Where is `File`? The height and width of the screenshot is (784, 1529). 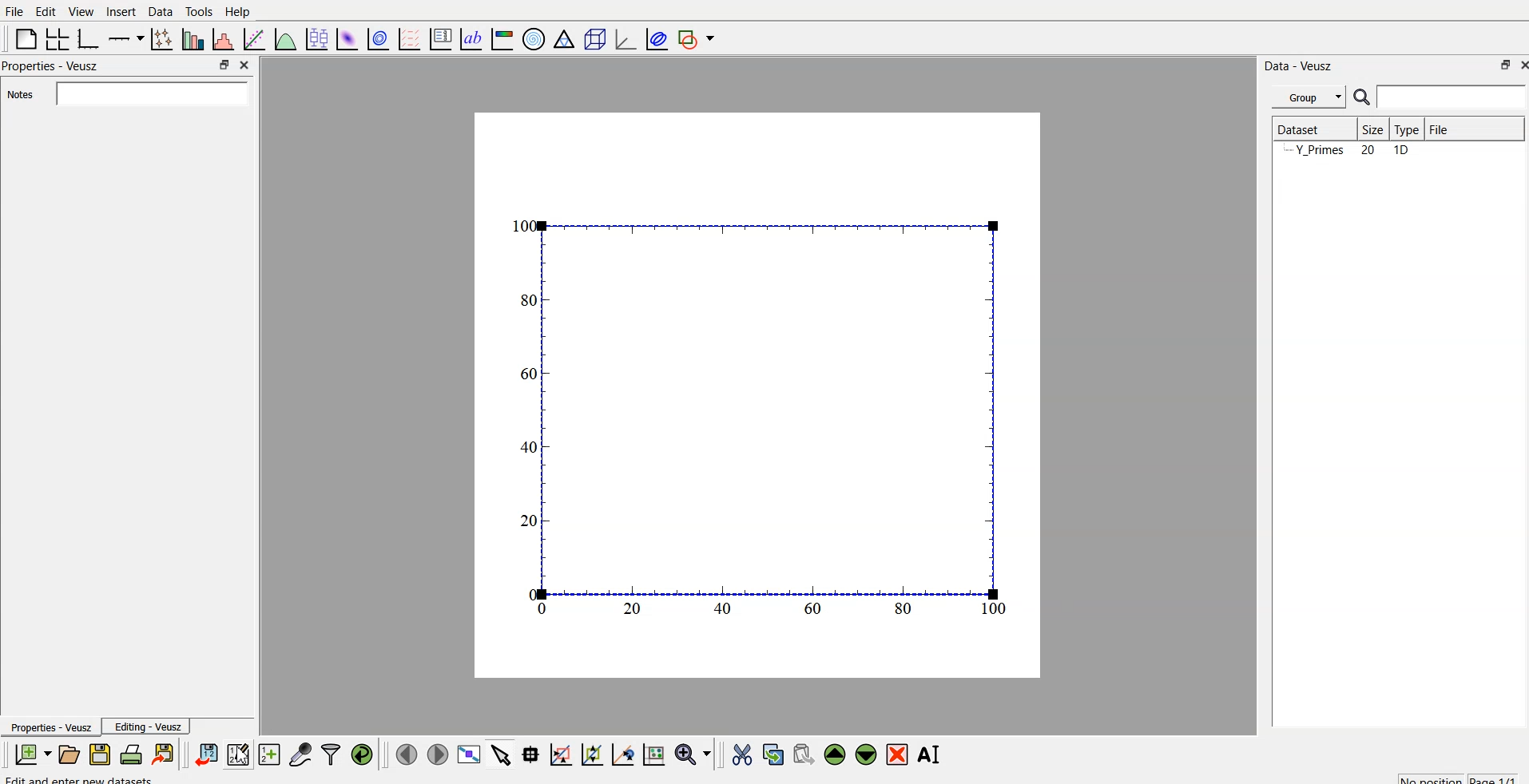 File is located at coordinates (1438, 127).